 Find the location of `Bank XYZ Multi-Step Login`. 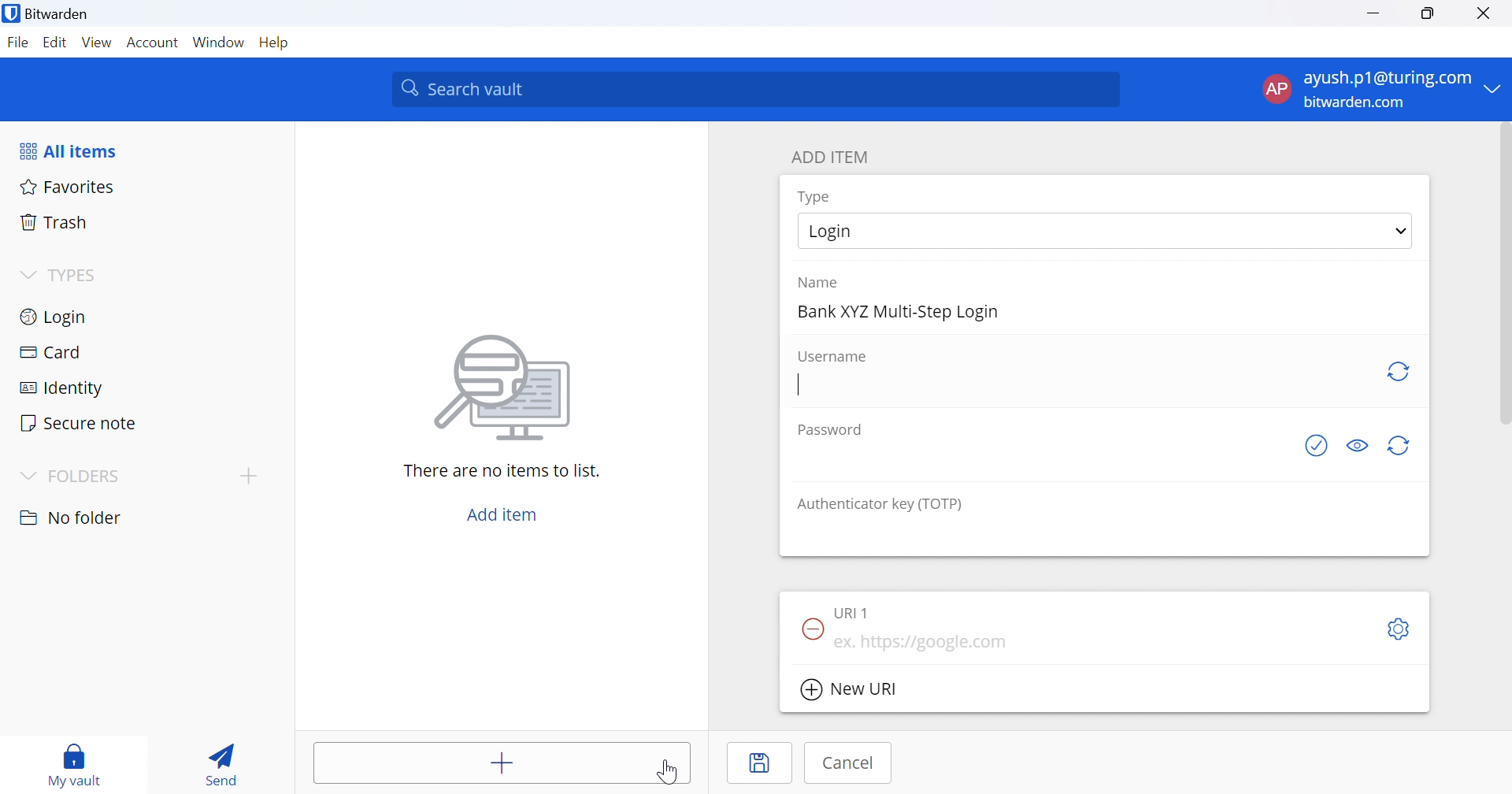

Bank XYZ Multi-Step Login is located at coordinates (900, 313).